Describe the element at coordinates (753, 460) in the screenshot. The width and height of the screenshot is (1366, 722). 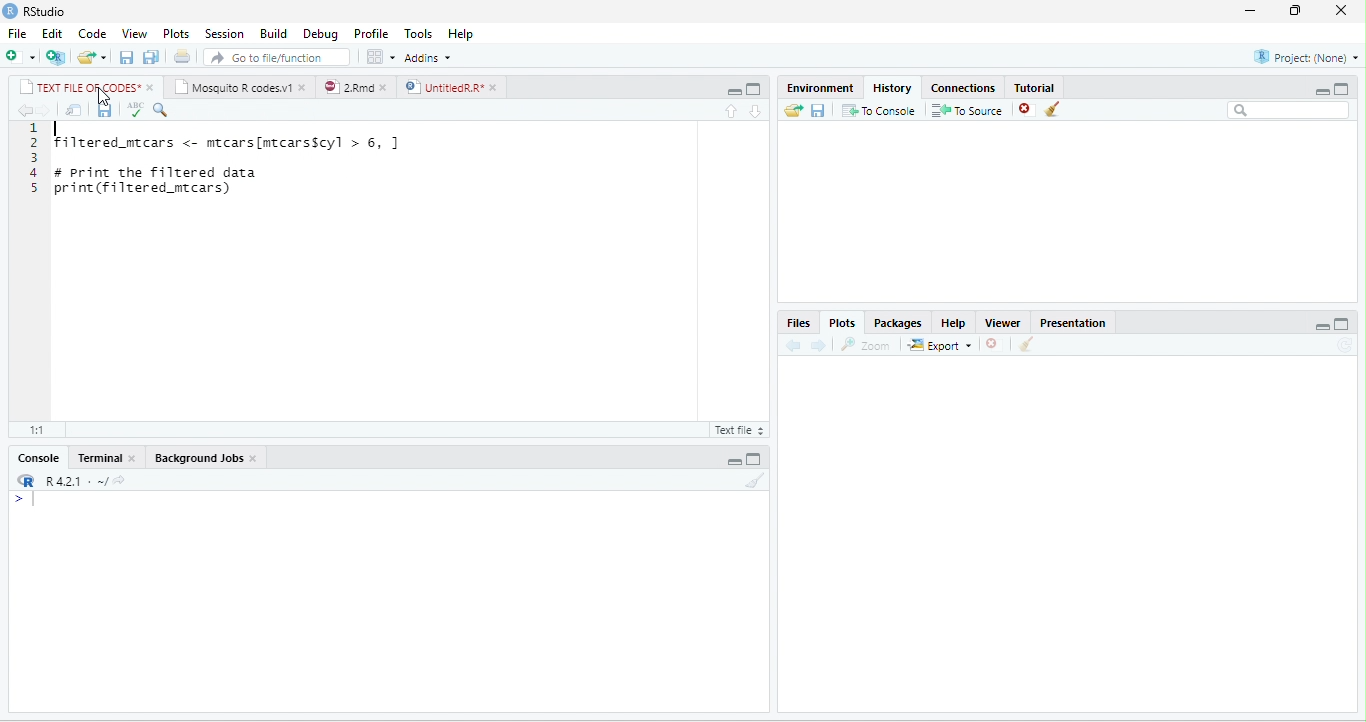
I see `maximize` at that location.